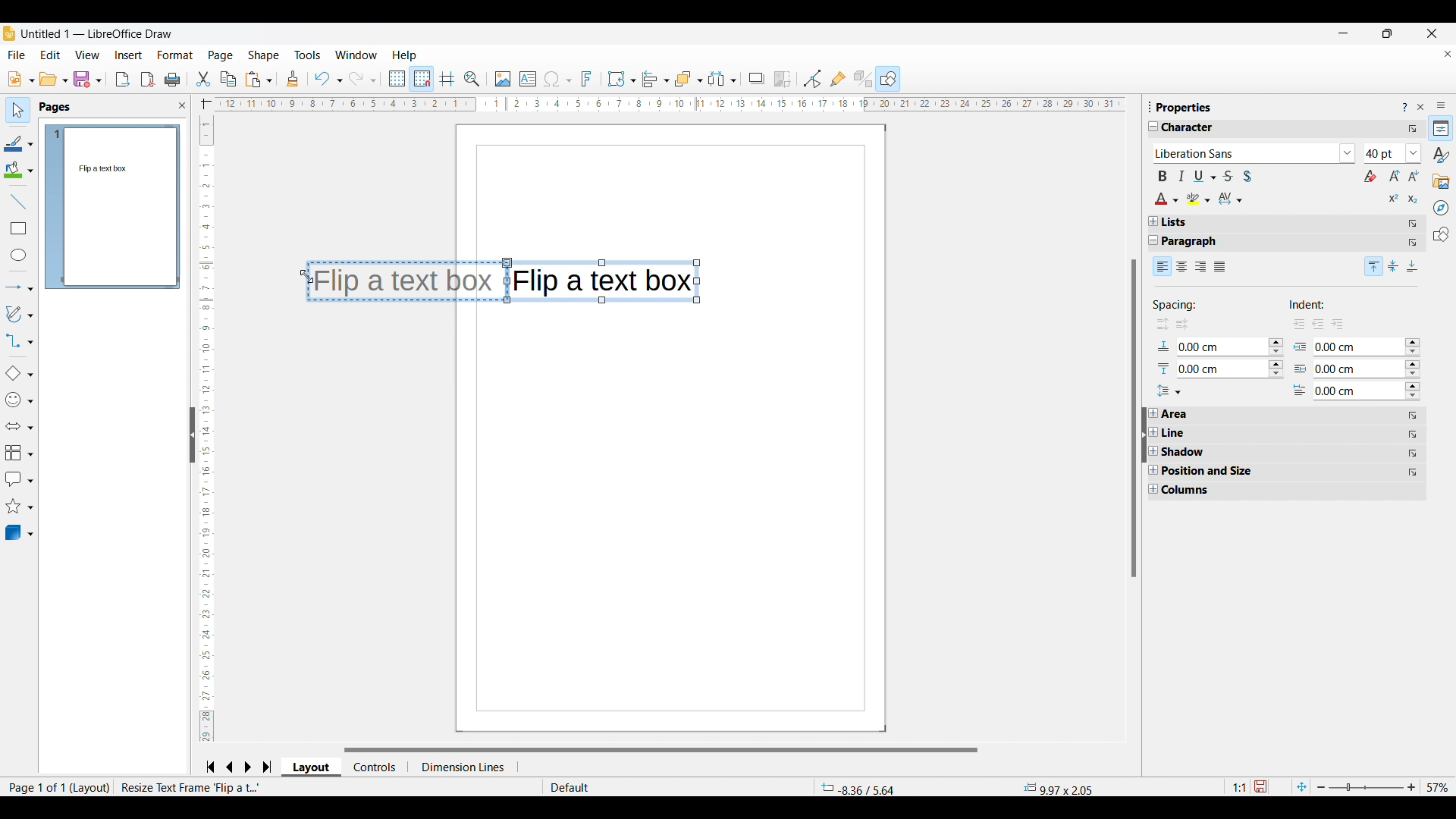 Image resolution: width=1456 pixels, height=819 pixels. What do you see at coordinates (504, 80) in the screenshot?
I see `Insert image` at bounding box center [504, 80].